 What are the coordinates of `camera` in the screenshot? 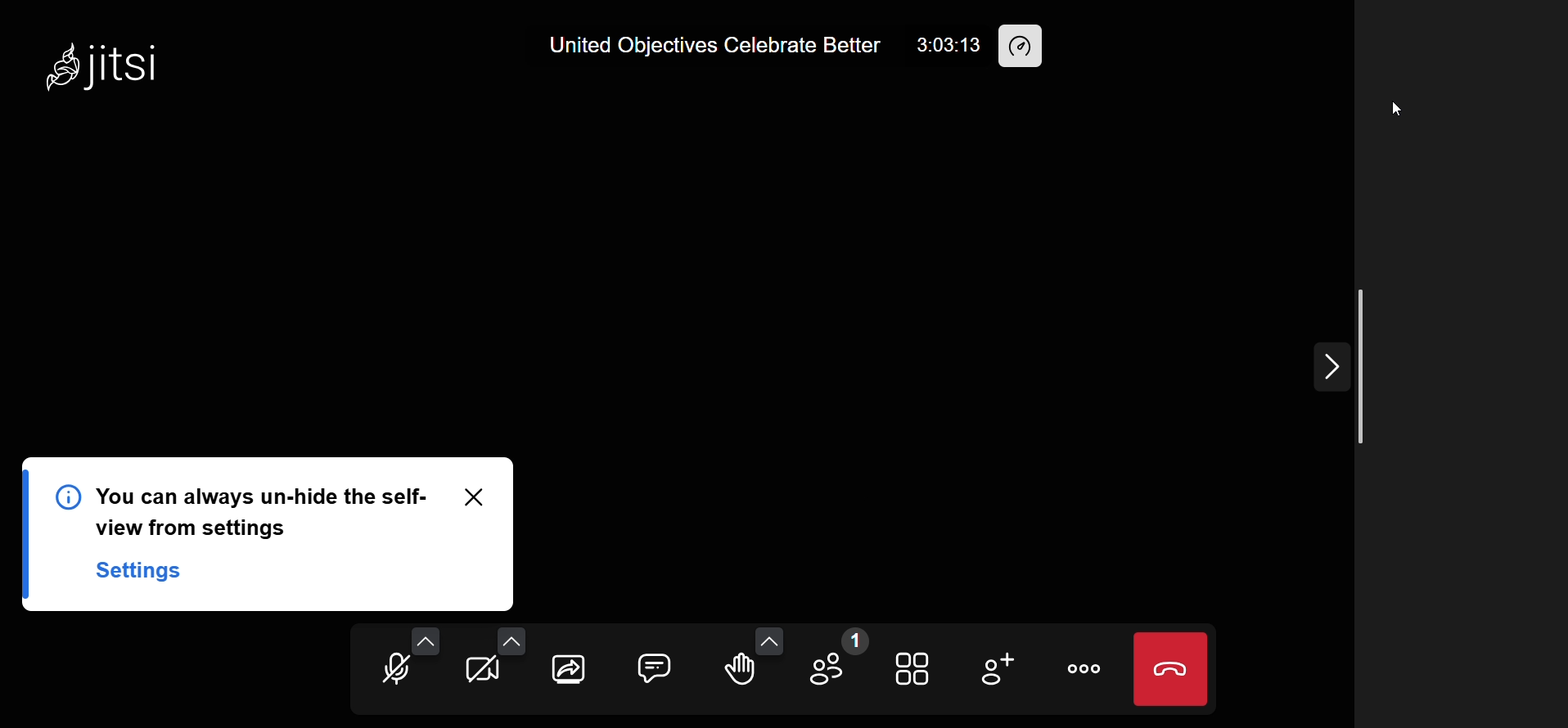 It's located at (483, 672).